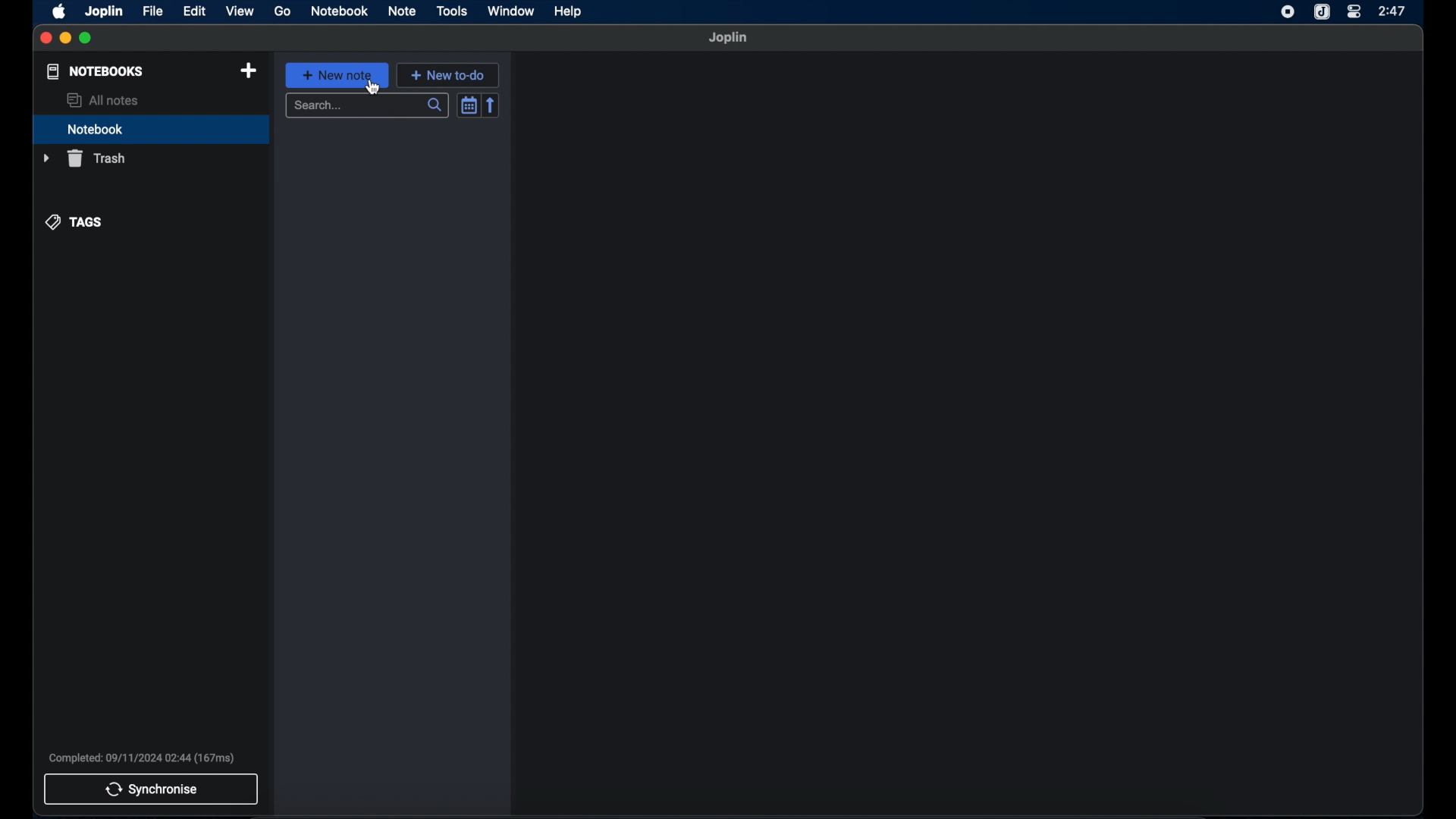  I want to click on minimize, so click(65, 39).